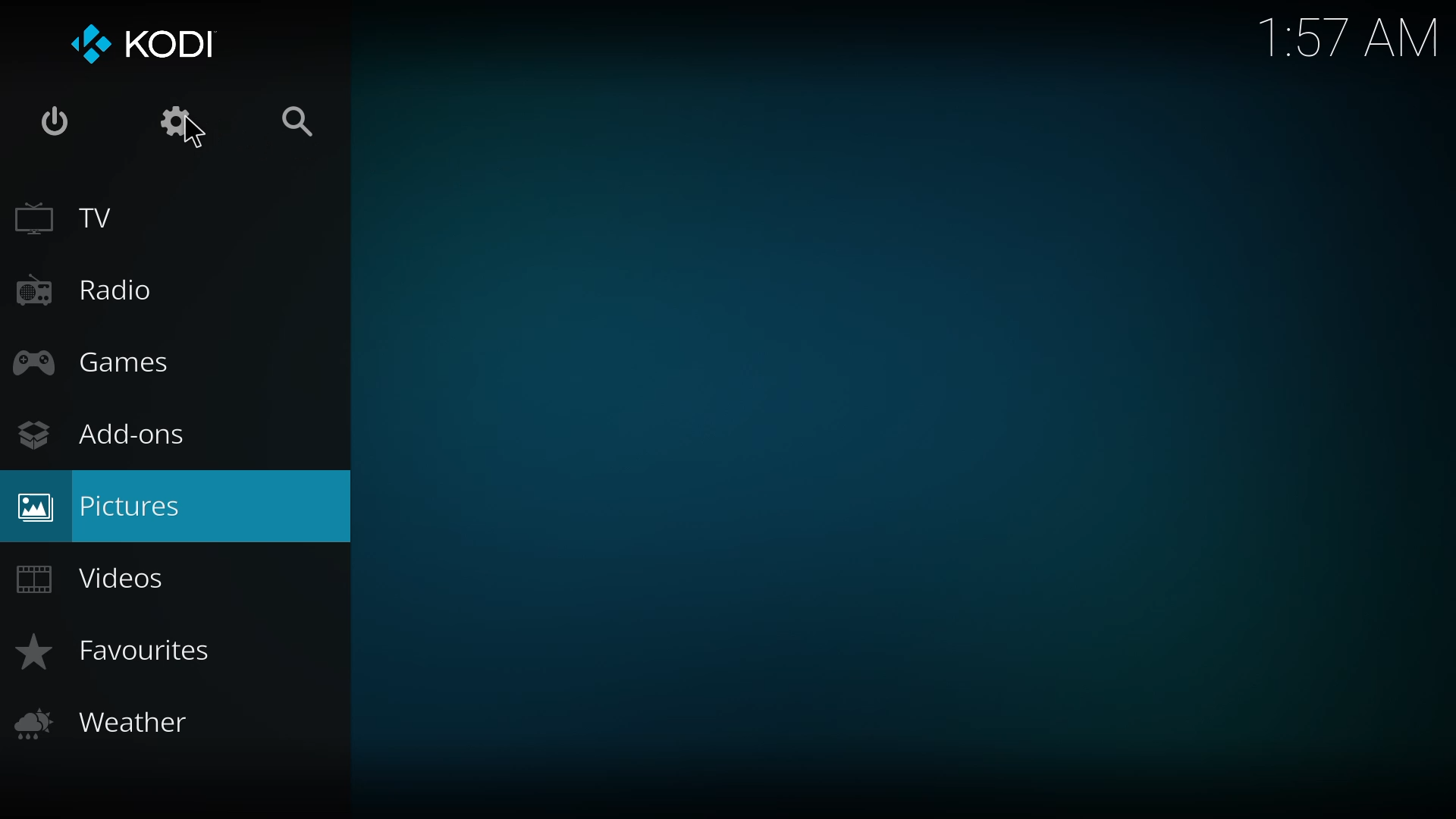 This screenshot has width=1456, height=819. Describe the element at coordinates (124, 648) in the screenshot. I see `favorites` at that location.